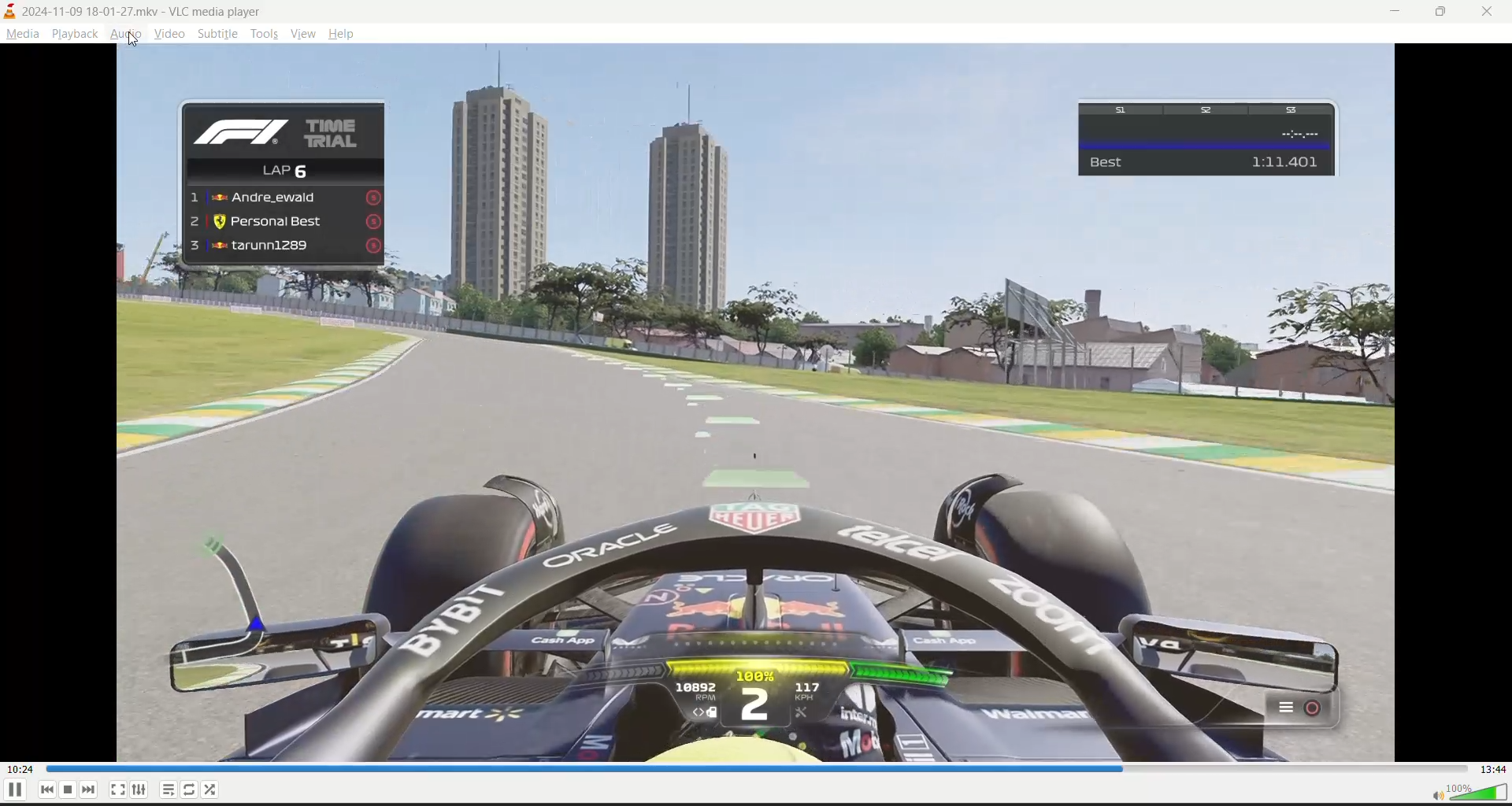 The image size is (1512, 806). What do you see at coordinates (747, 769) in the screenshot?
I see `track slider` at bounding box center [747, 769].